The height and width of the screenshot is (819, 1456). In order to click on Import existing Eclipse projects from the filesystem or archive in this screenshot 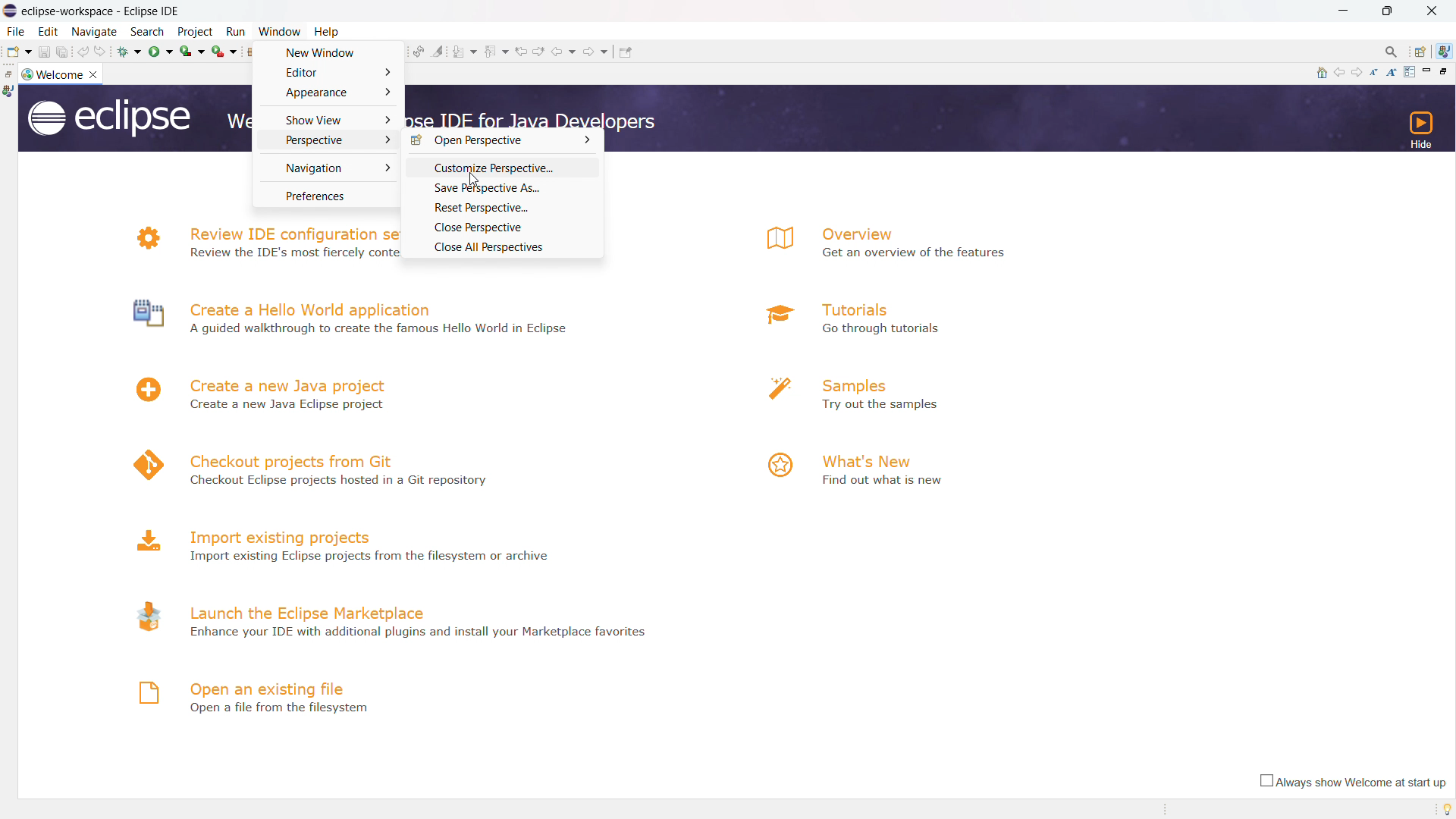, I will do `click(379, 555)`.